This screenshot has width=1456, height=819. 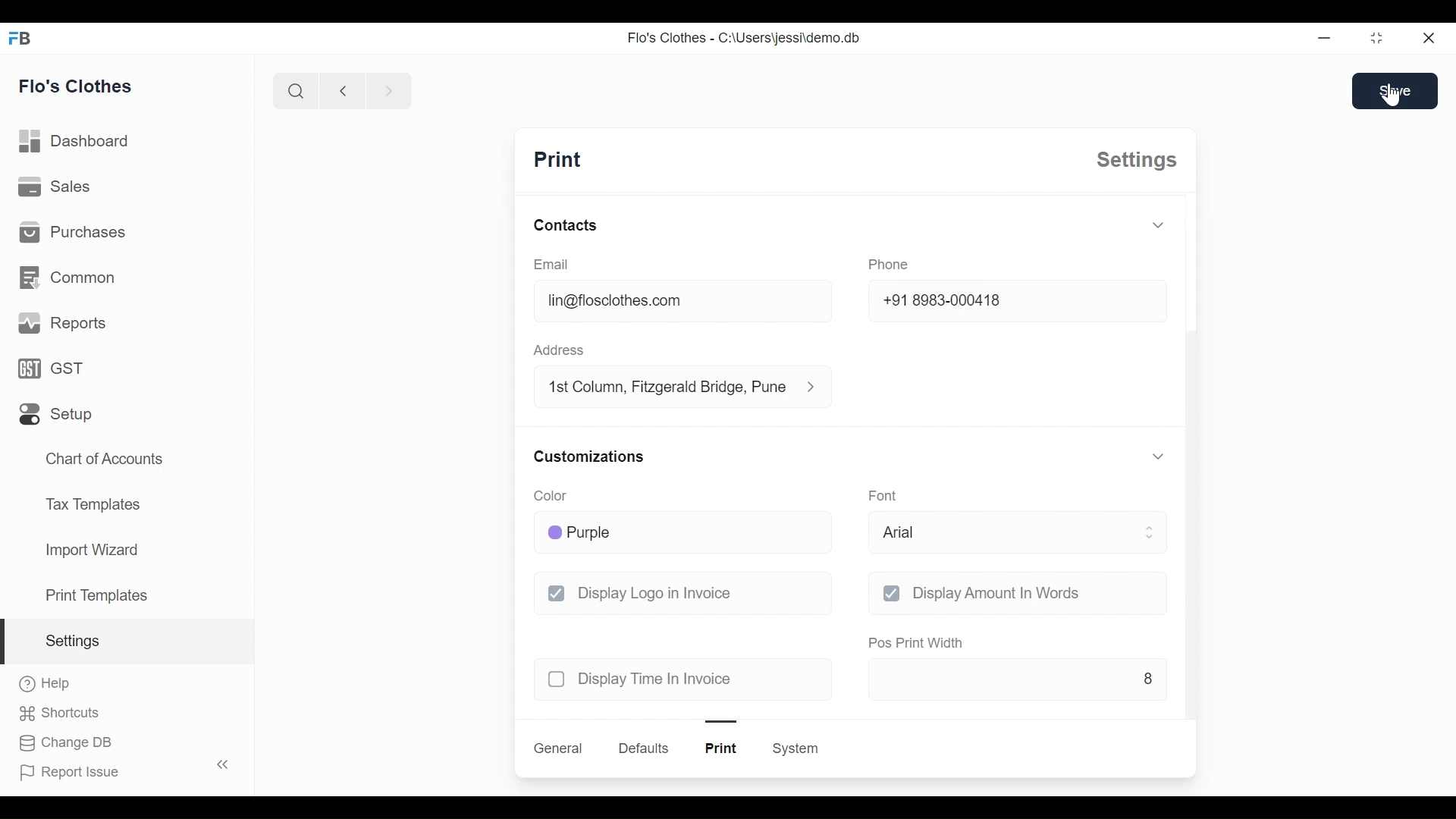 What do you see at coordinates (645, 748) in the screenshot?
I see `defaults` at bounding box center [645, 748].